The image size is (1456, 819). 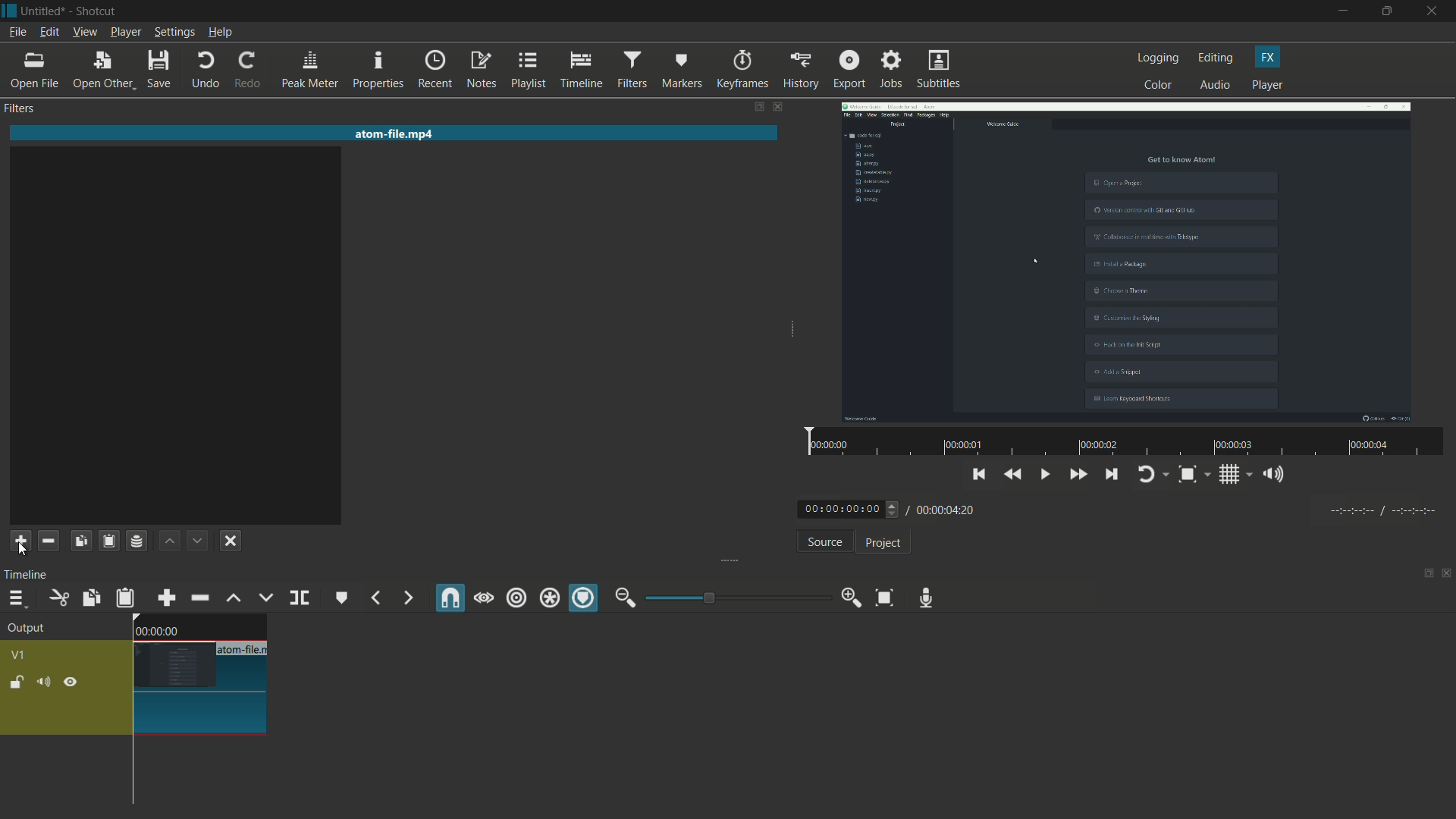 What do you see at coordinates (1447, 575) in the screenshot?
I see `close panel` at bounding box center [1447, 575].